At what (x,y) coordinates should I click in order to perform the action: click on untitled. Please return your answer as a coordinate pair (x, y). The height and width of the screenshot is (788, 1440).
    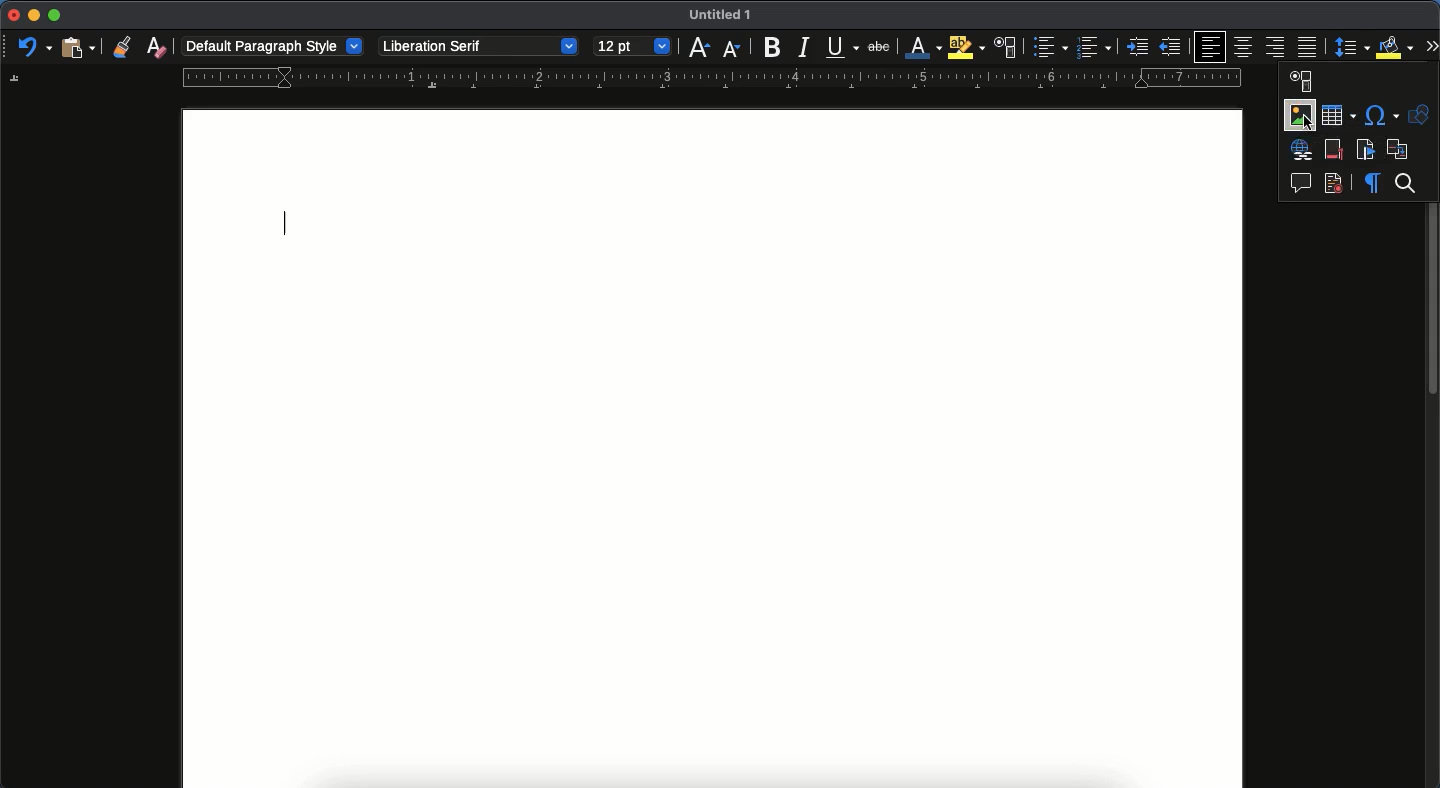
    Looking at the image, I should click on (716, 16).